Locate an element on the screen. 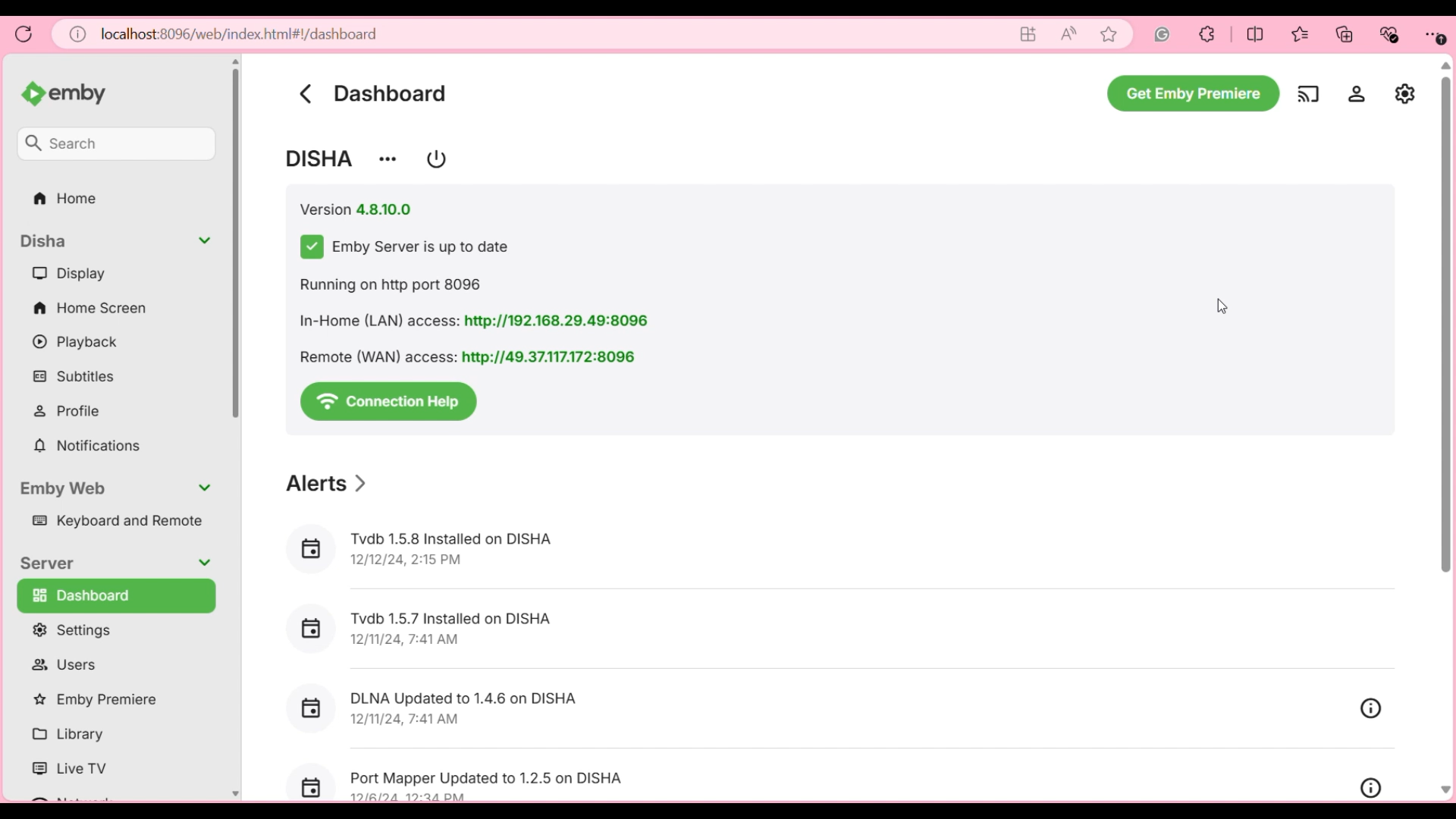 The image size is (1456, 819). Overview of respective alert is located at coordinates (1371, 748).